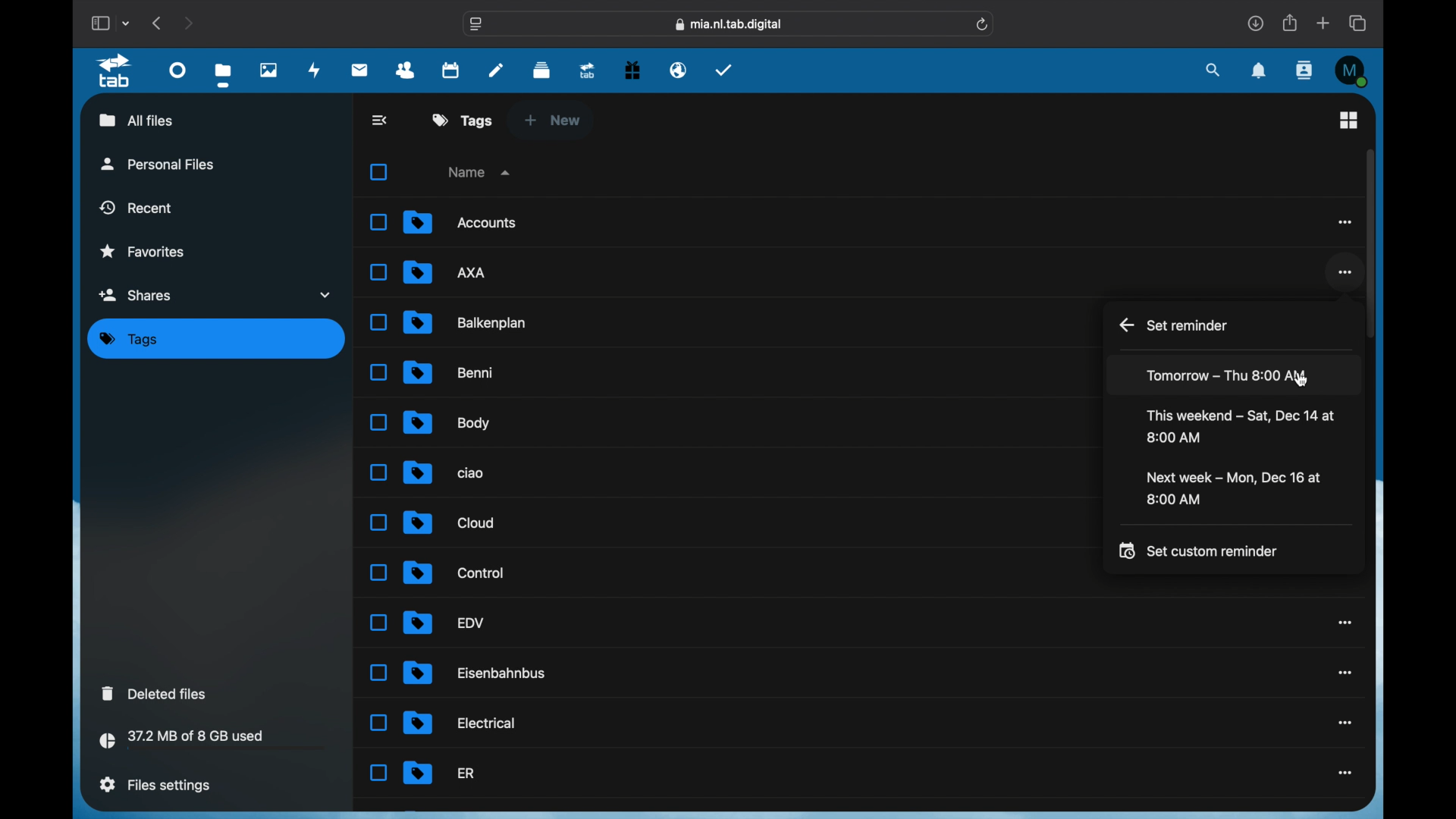 Image resolution: width=1456 pixels, height=819 pixels. I want to click on file, so click(453, 573).